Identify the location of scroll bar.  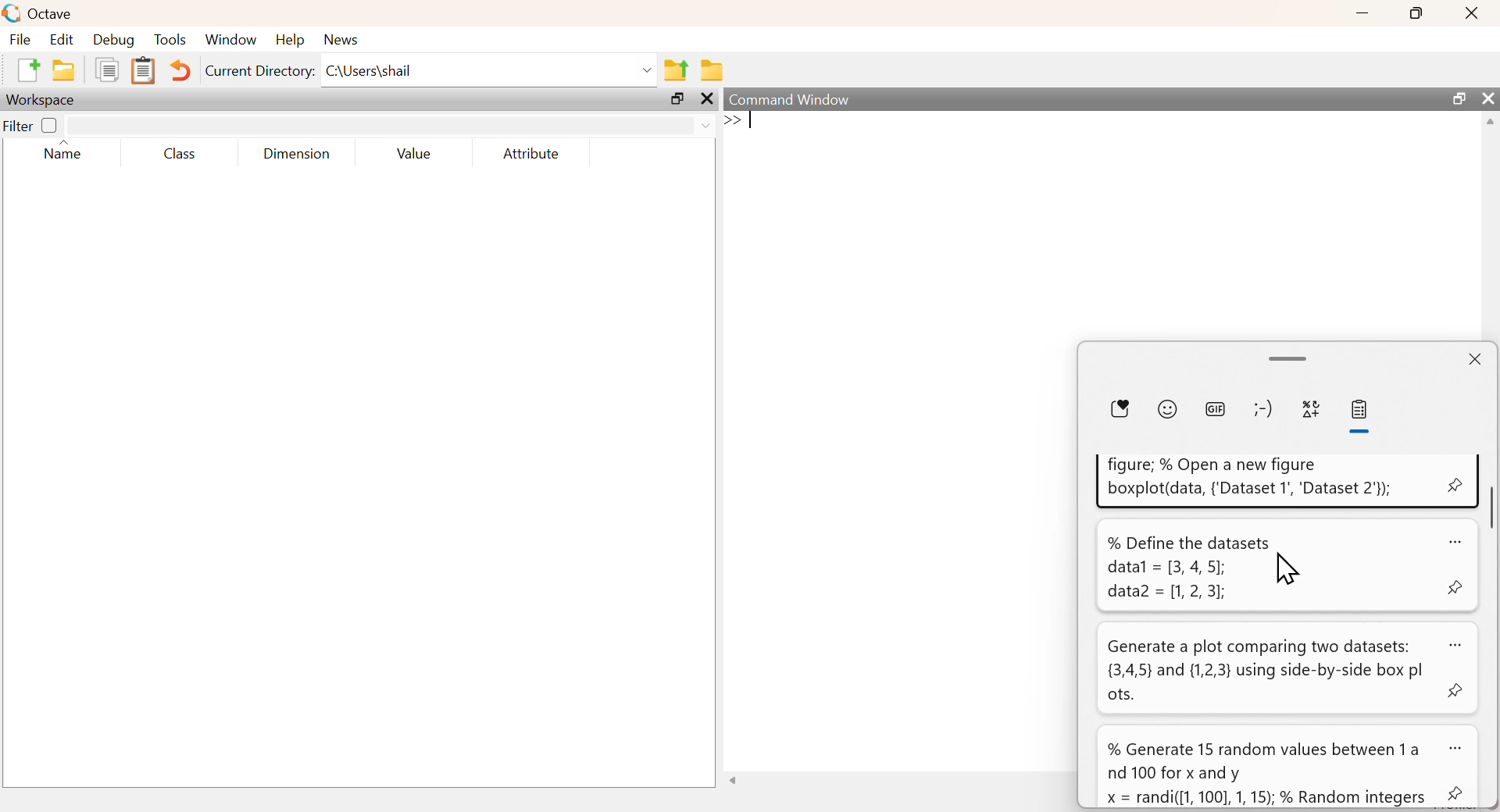
(1288, 356).